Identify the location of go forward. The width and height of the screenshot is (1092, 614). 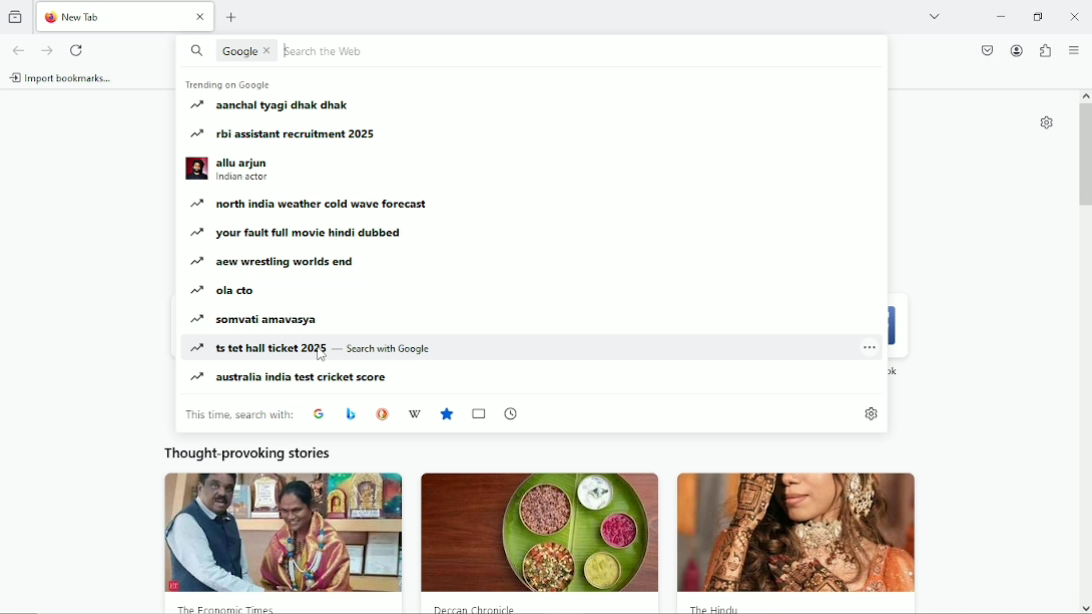
(46, 50).